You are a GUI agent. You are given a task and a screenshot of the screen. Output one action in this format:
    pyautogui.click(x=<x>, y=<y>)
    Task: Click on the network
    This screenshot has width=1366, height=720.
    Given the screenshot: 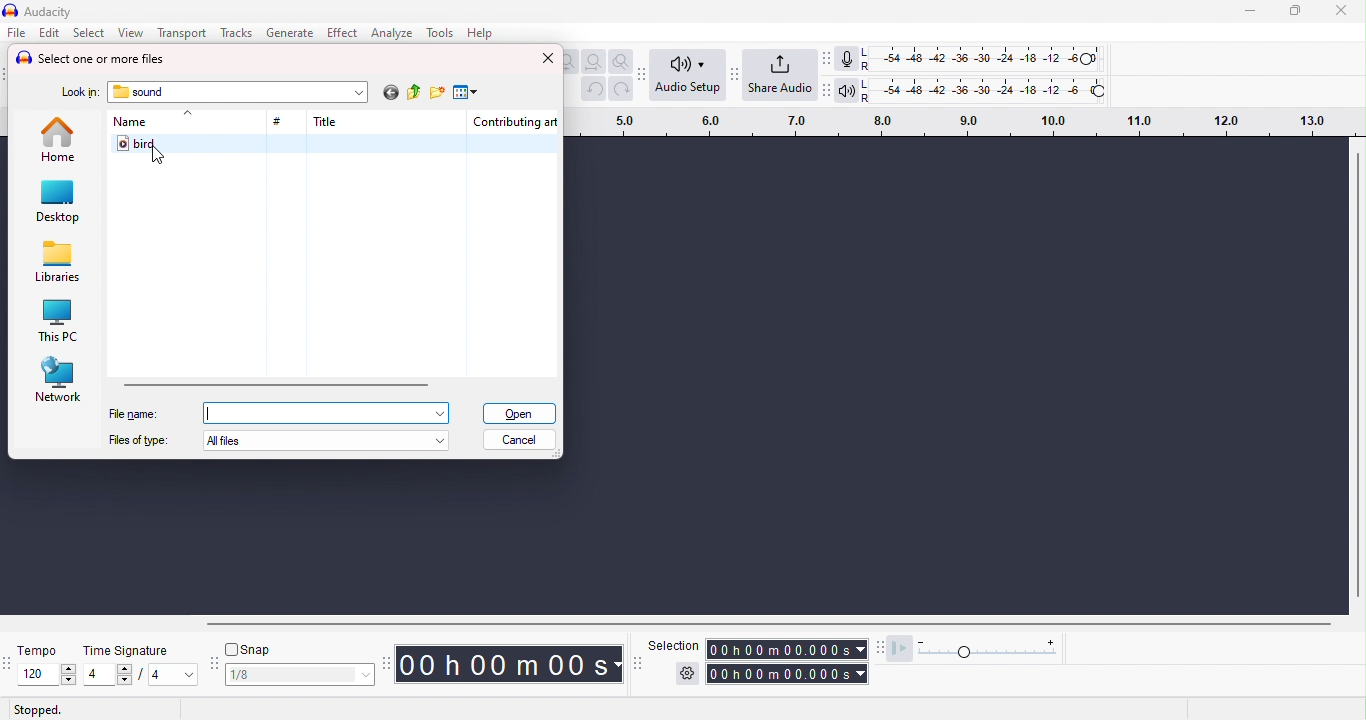 What is the action you would take?
    pyautogui.click(x=59, y=379)
    